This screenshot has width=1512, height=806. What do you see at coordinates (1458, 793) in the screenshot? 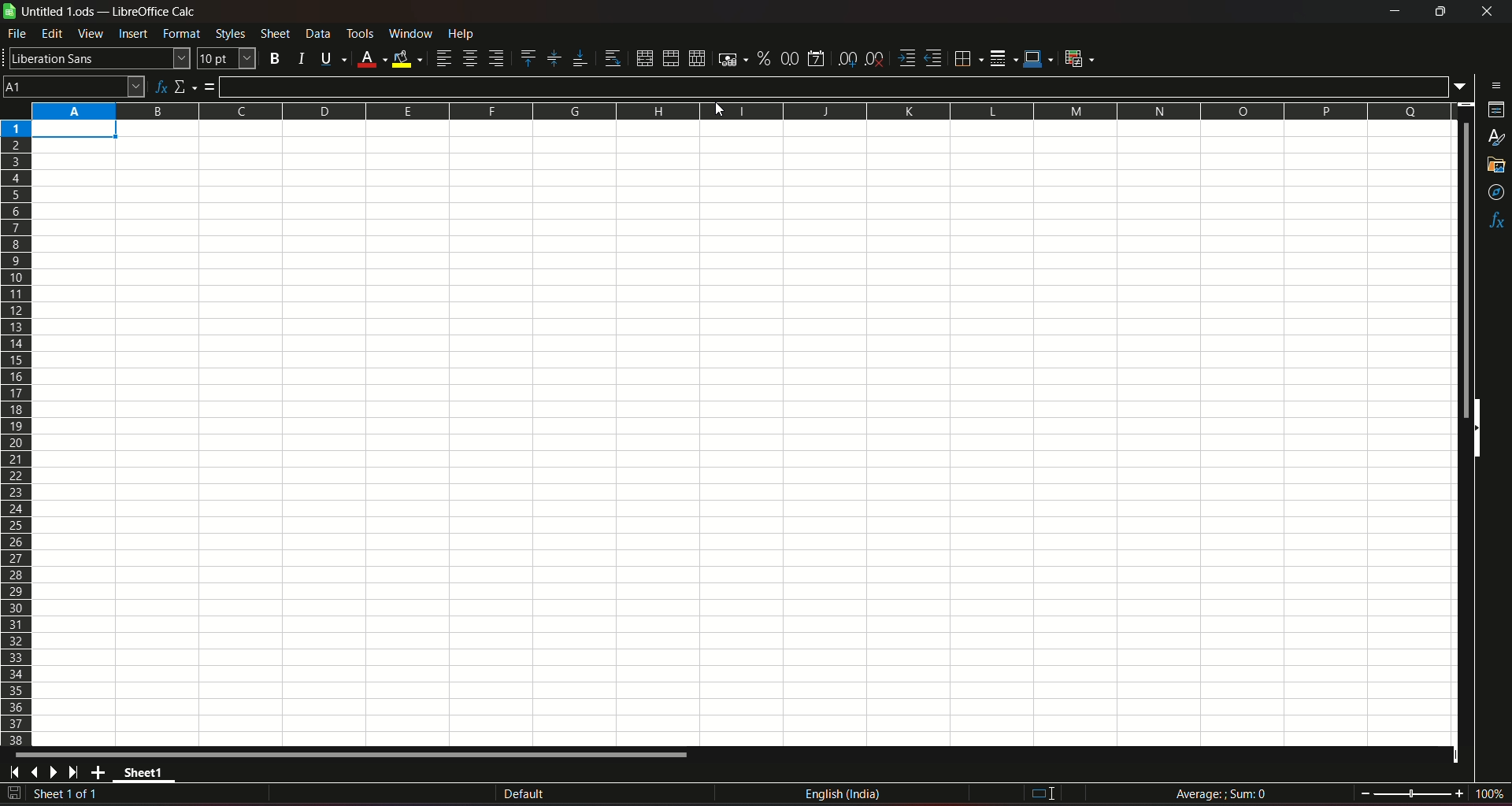
I see `zoom in` at bounding box center [1458, 793].